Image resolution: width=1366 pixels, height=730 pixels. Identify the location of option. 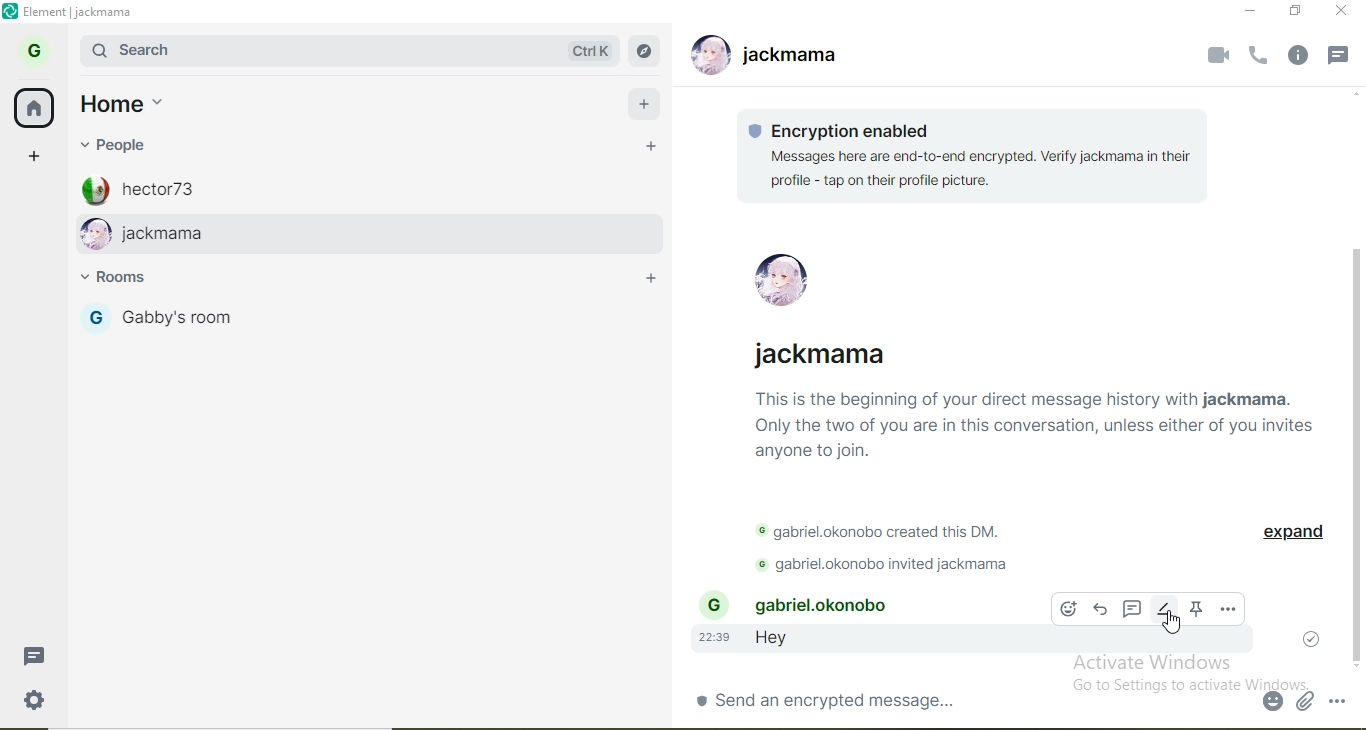
(1339, 700).